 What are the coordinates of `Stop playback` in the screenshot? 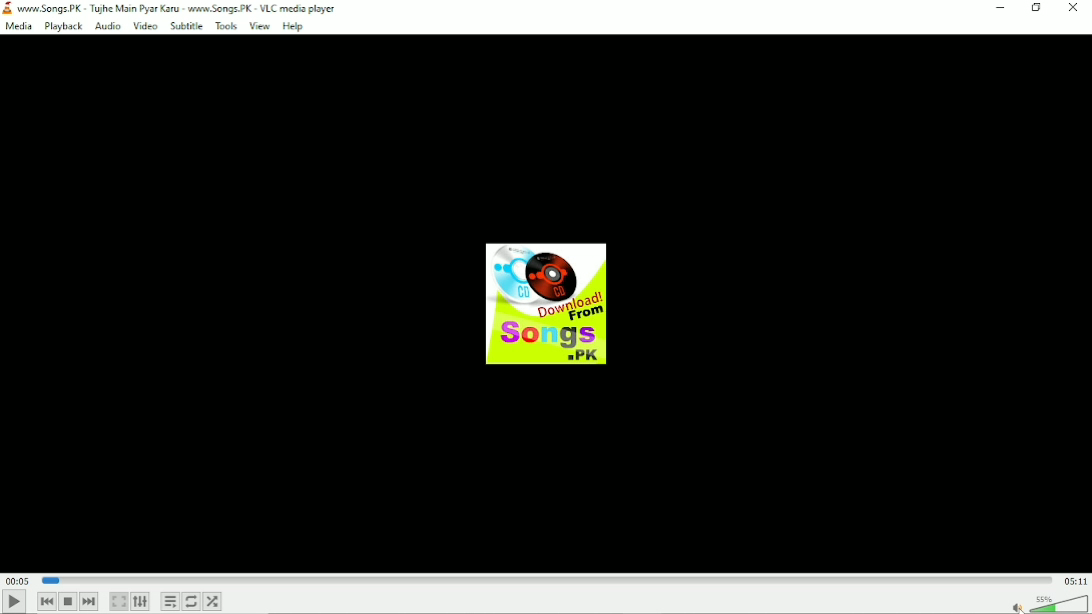 It's located at (68, 602).